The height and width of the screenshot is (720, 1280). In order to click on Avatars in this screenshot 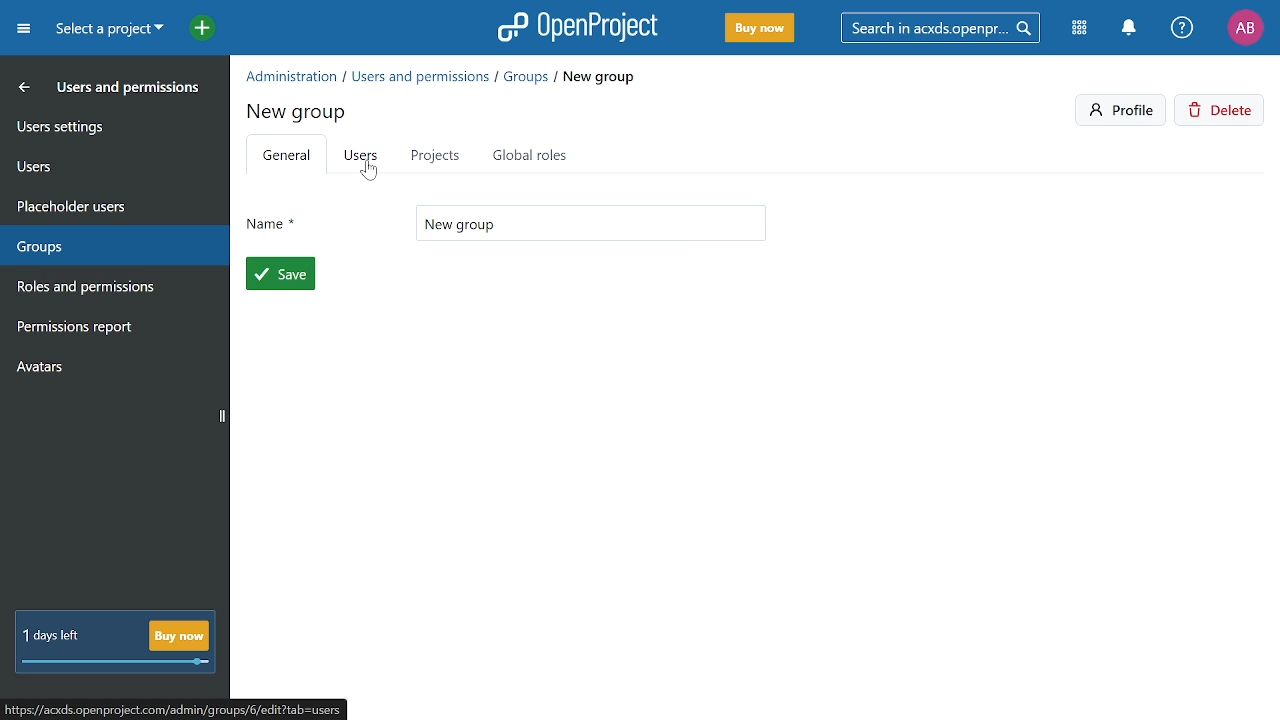, I will do `click(111, 371)`.